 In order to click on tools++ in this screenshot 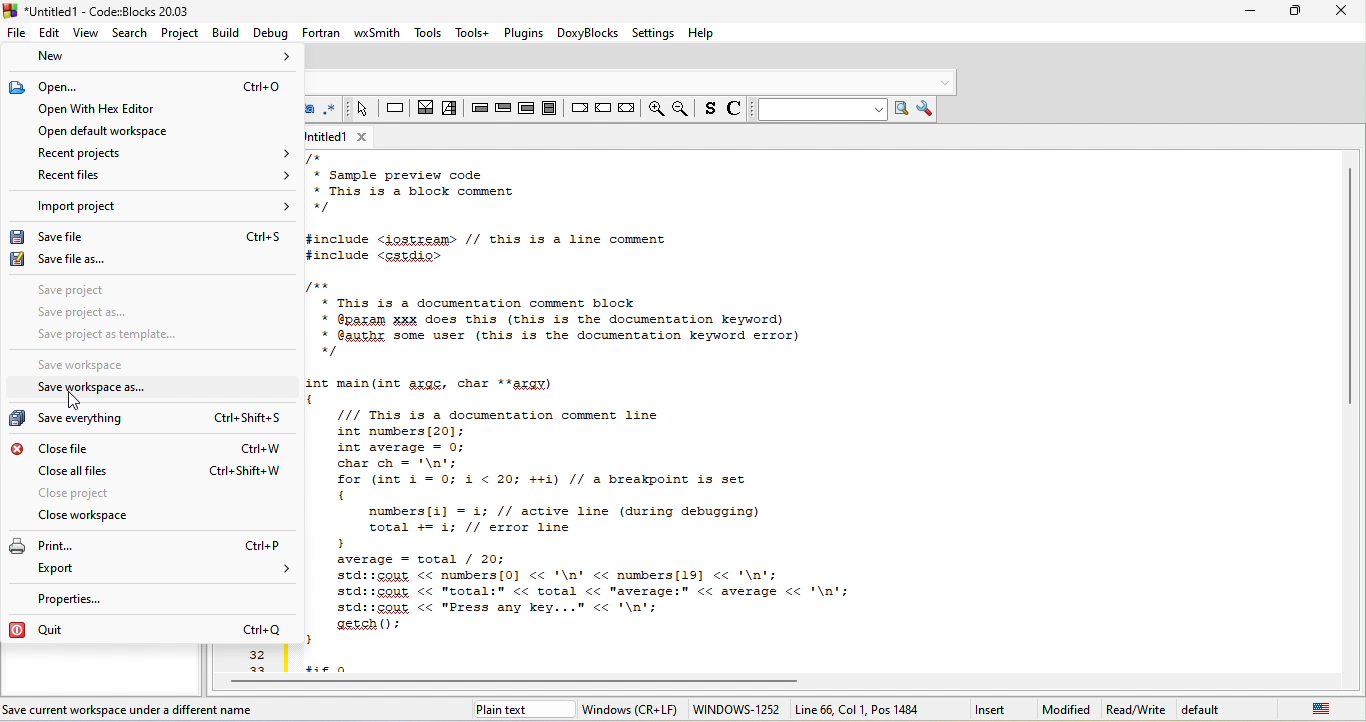, I will do `click(475, 32)`.